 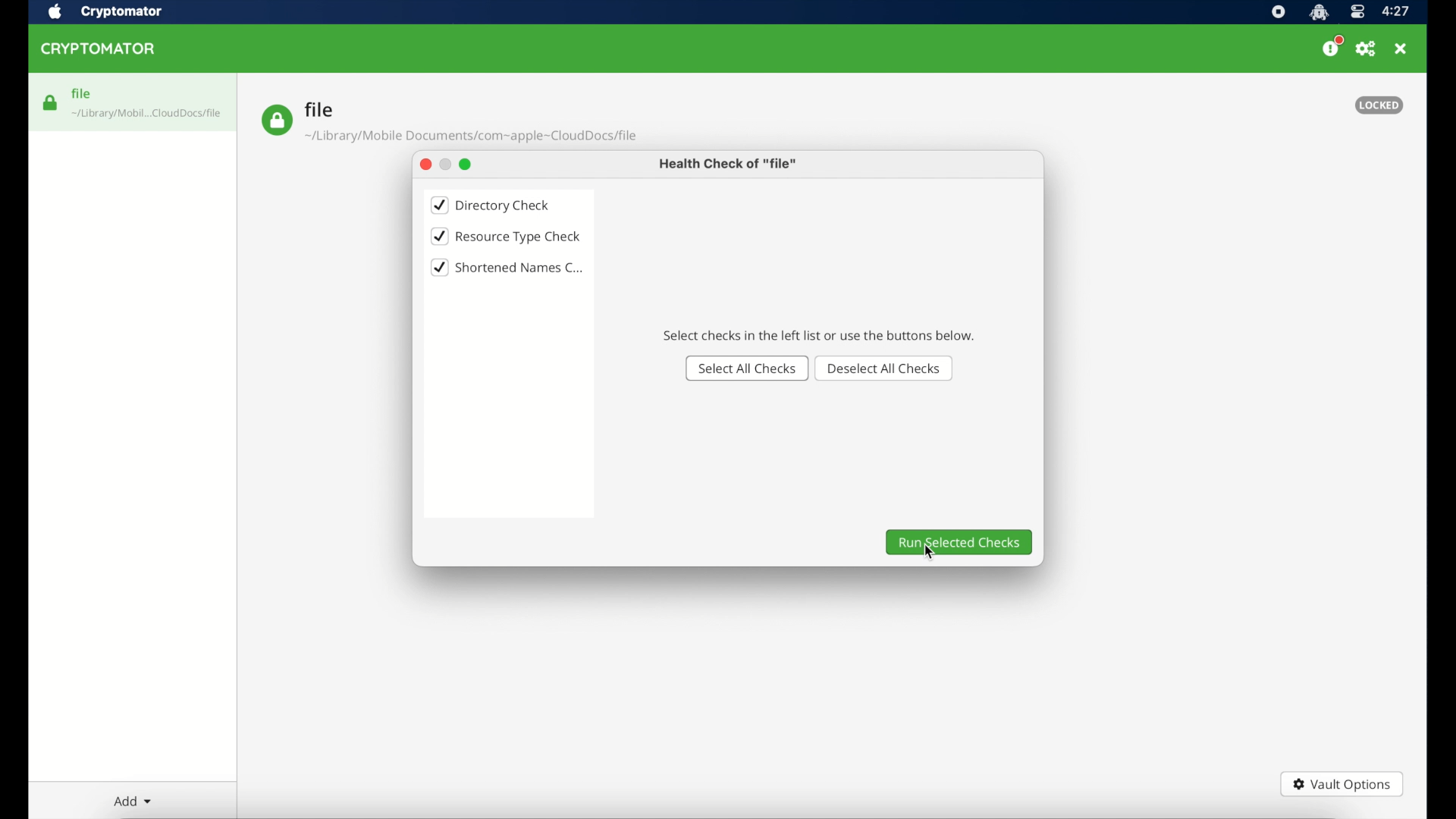 What do you see at coordinates (1278, 12) in the screenshot?
I see `screen recorder icon` at bounding box center [1278, 12].